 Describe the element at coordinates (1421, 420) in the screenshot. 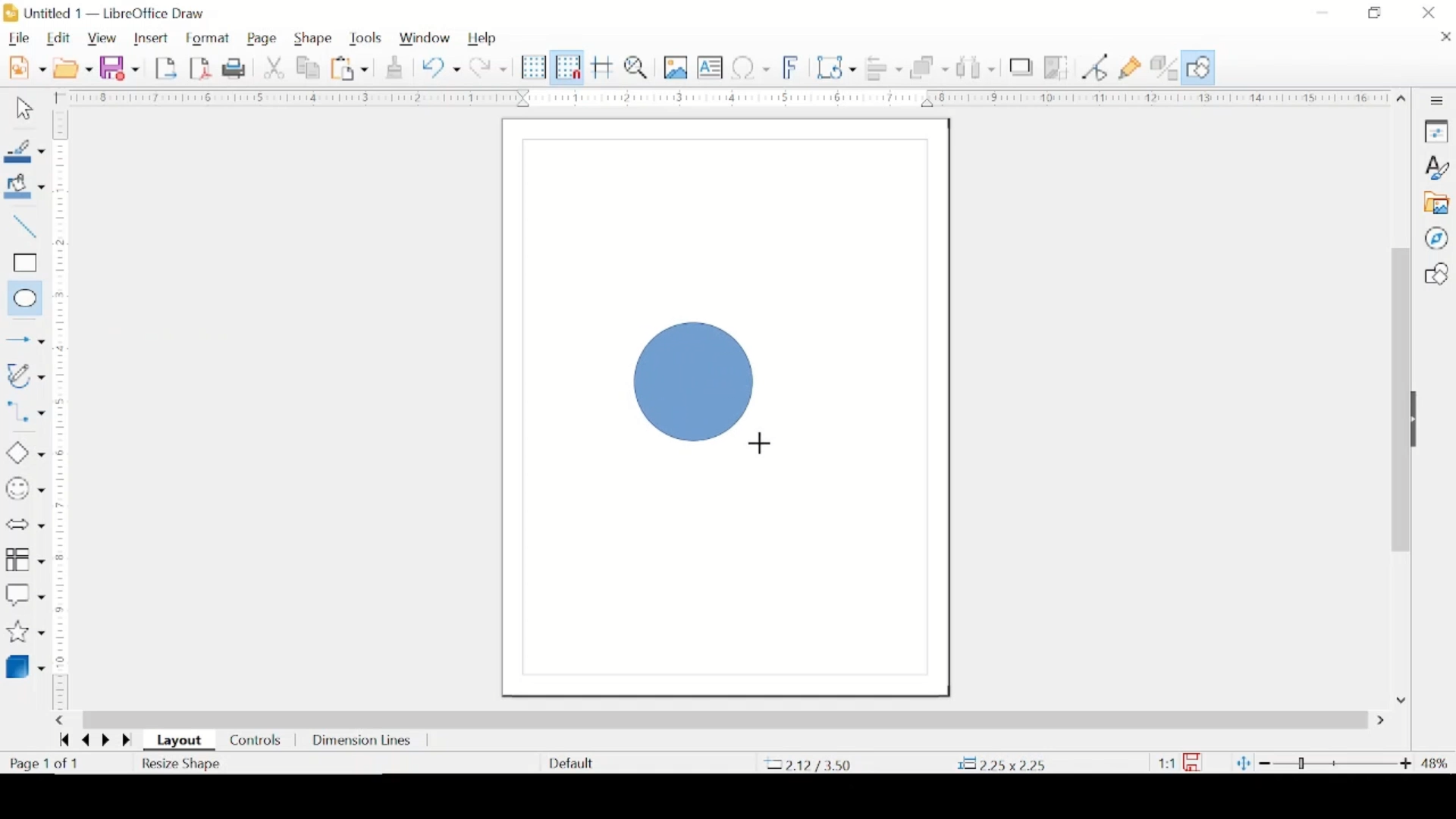

I see `drag handle` at that location.